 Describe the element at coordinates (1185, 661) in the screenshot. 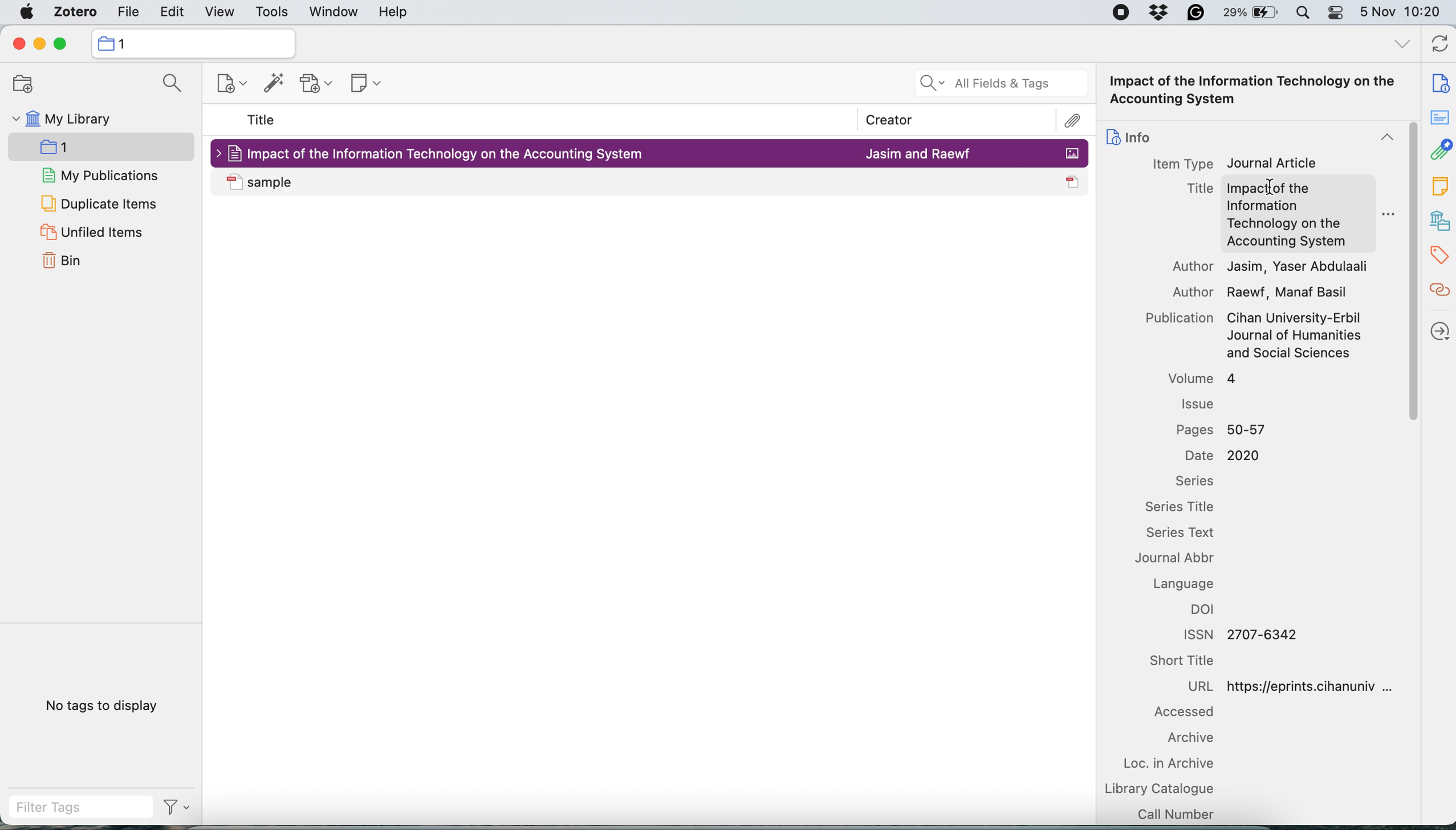

I see `short title` at that location.